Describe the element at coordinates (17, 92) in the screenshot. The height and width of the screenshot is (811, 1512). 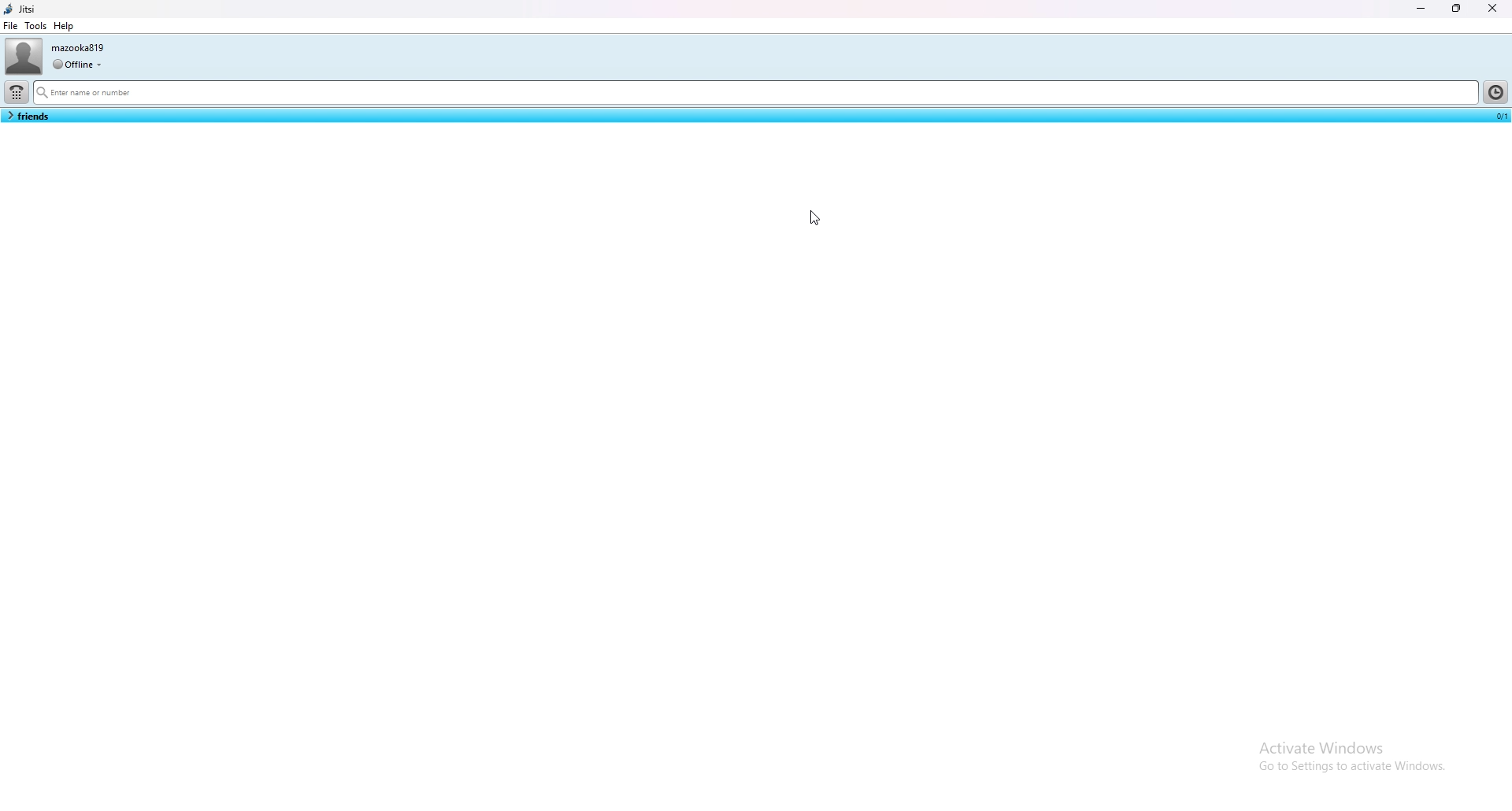
I see `dialpad` at that location.